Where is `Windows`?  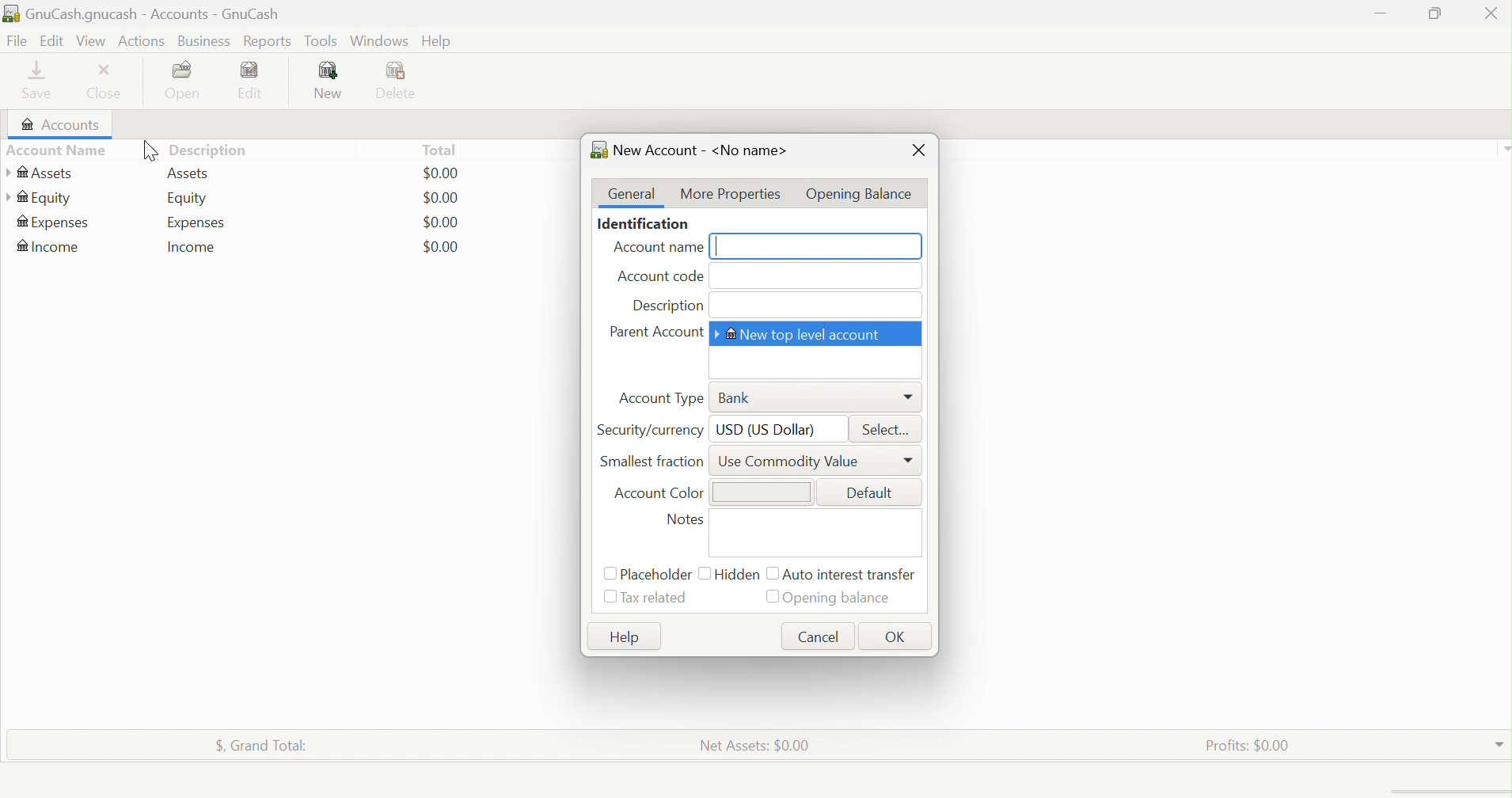
Windows is located at coordinates (378, 40).